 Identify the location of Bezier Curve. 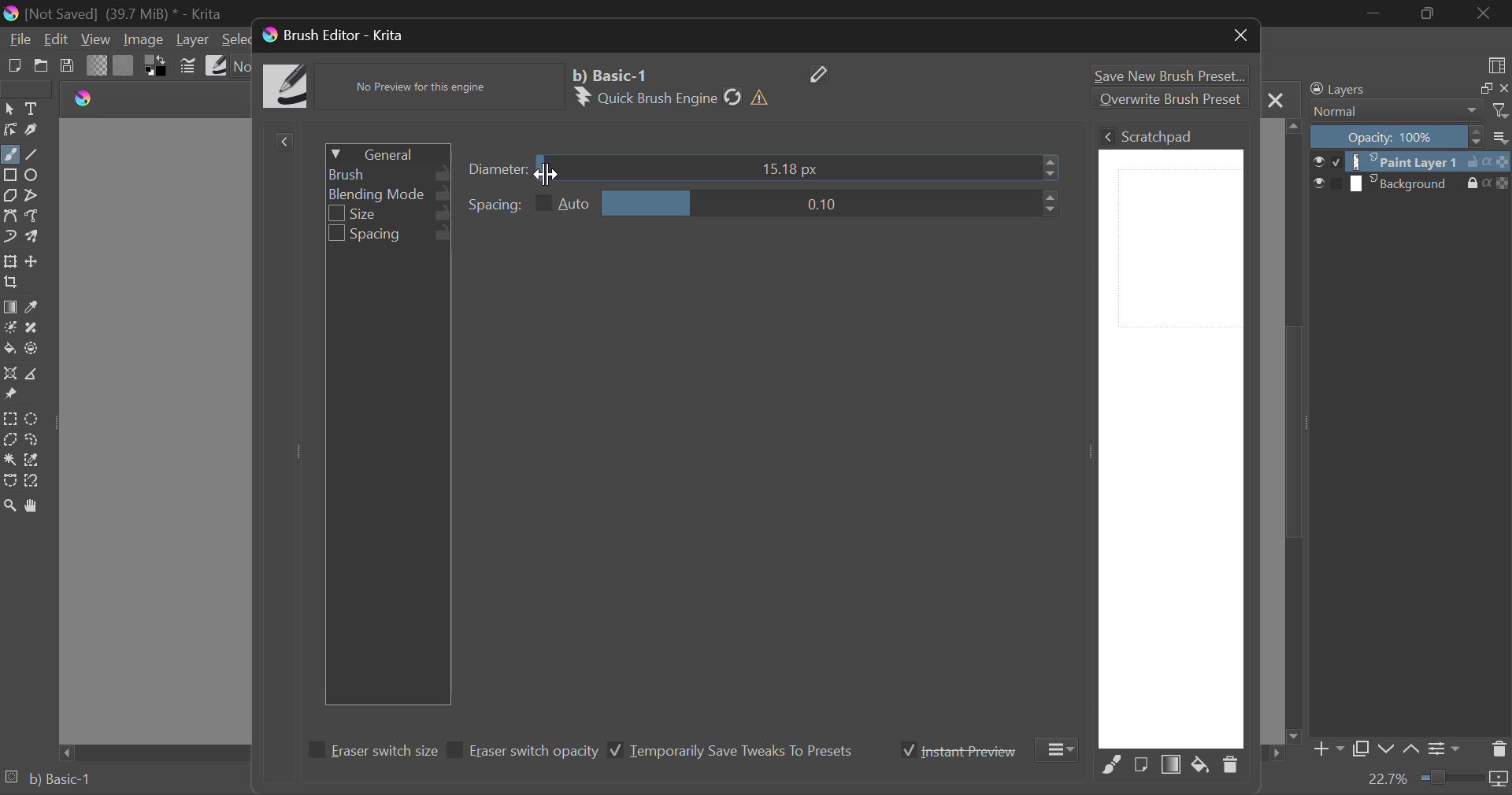
(9, 482).